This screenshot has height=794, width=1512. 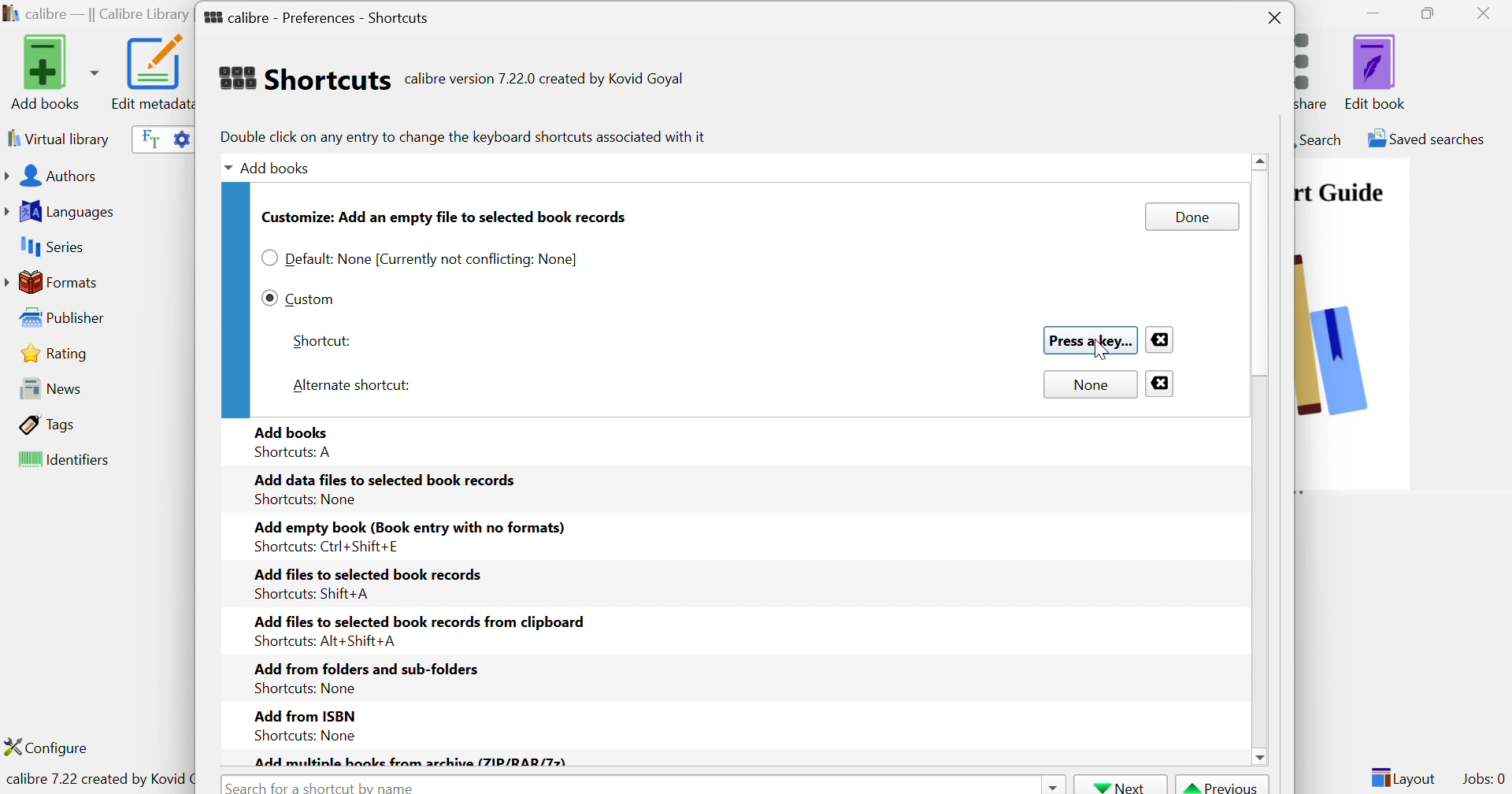 I want to click on Shortcuts: None, so click(x=306, y=499).